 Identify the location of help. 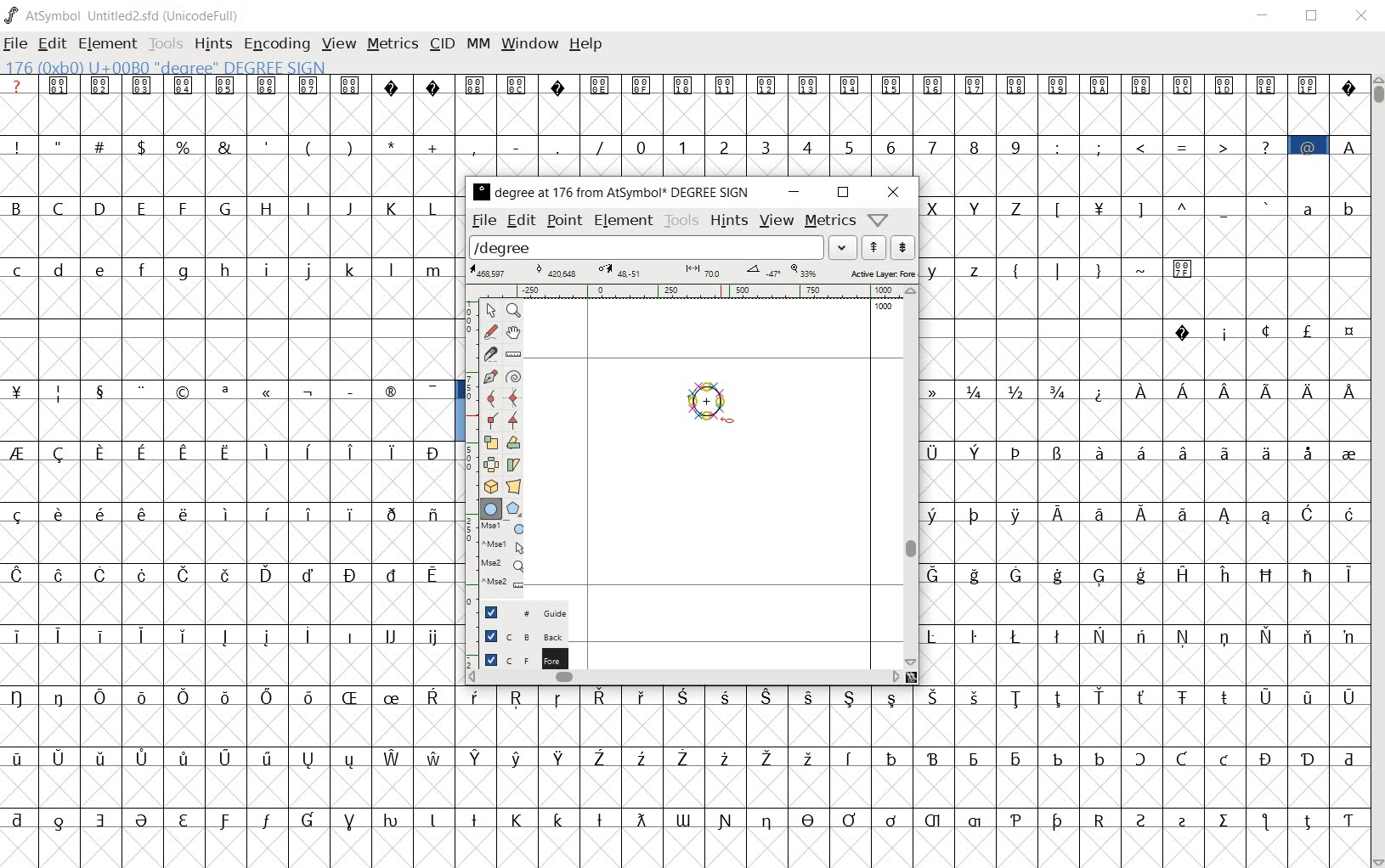
(588, 45).